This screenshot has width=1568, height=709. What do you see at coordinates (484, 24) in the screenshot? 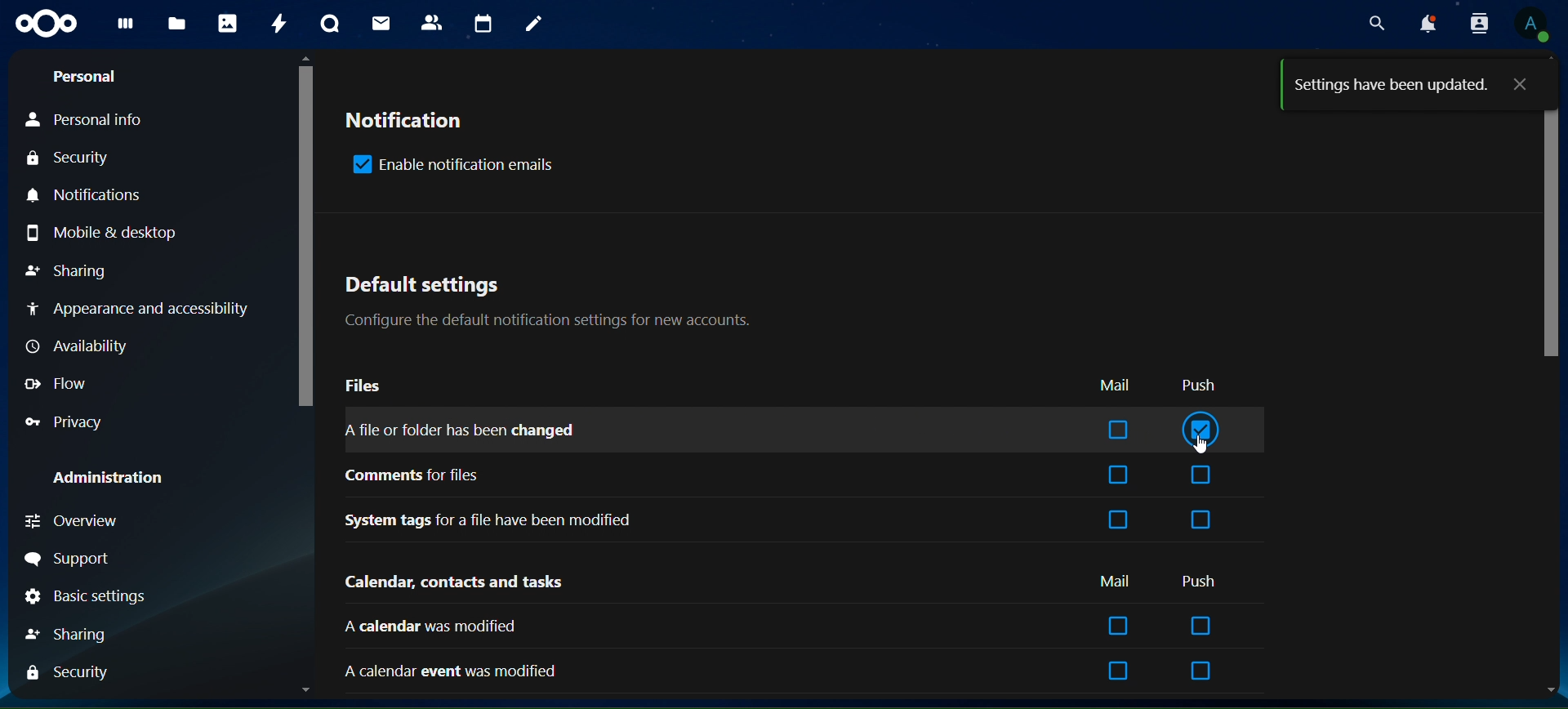
I see `calendar` at bounding box center [484, 24].